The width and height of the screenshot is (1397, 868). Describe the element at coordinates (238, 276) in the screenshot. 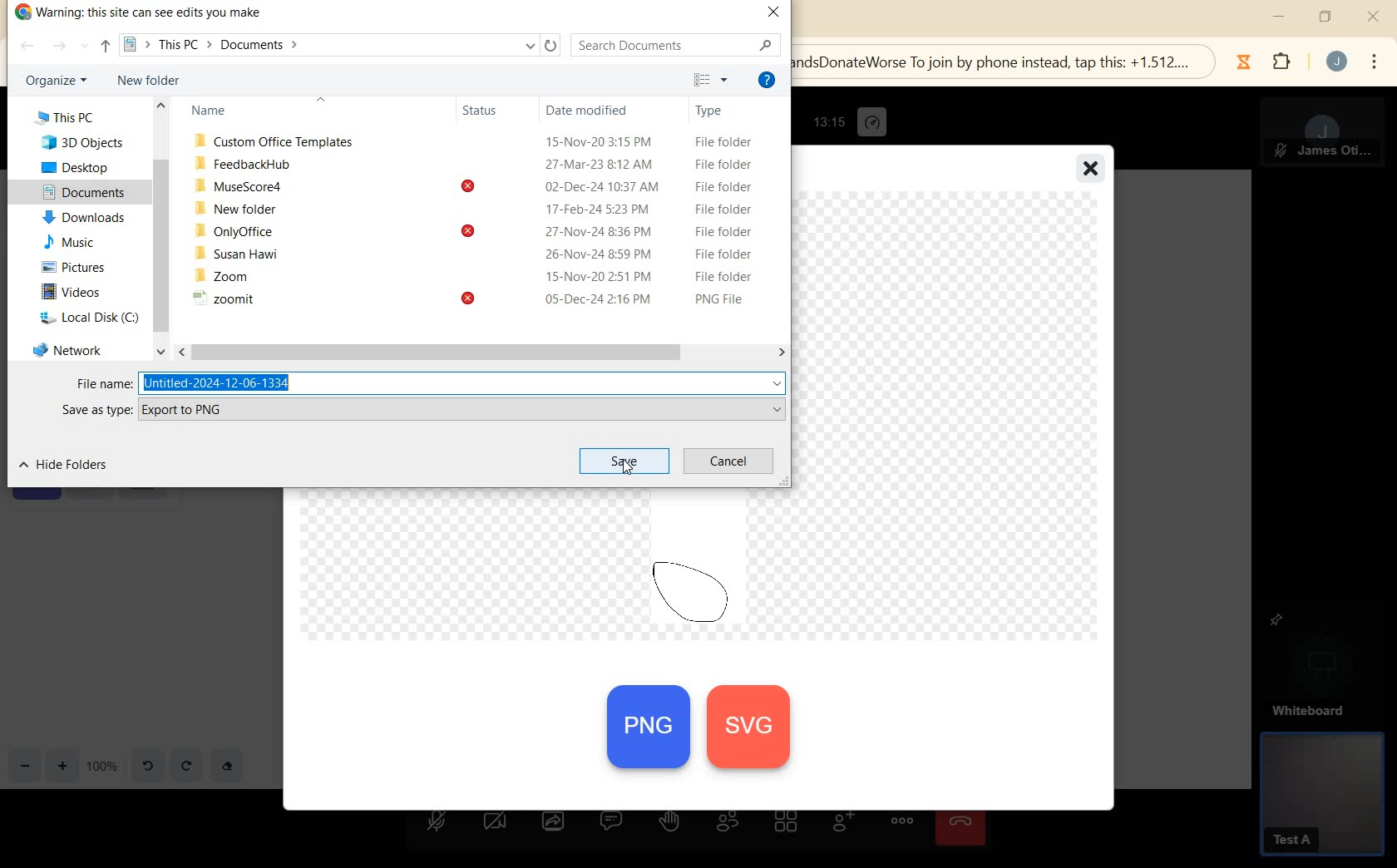

I see `. Zoom 15-Nov-20 2:51 PM File folder` at that location.